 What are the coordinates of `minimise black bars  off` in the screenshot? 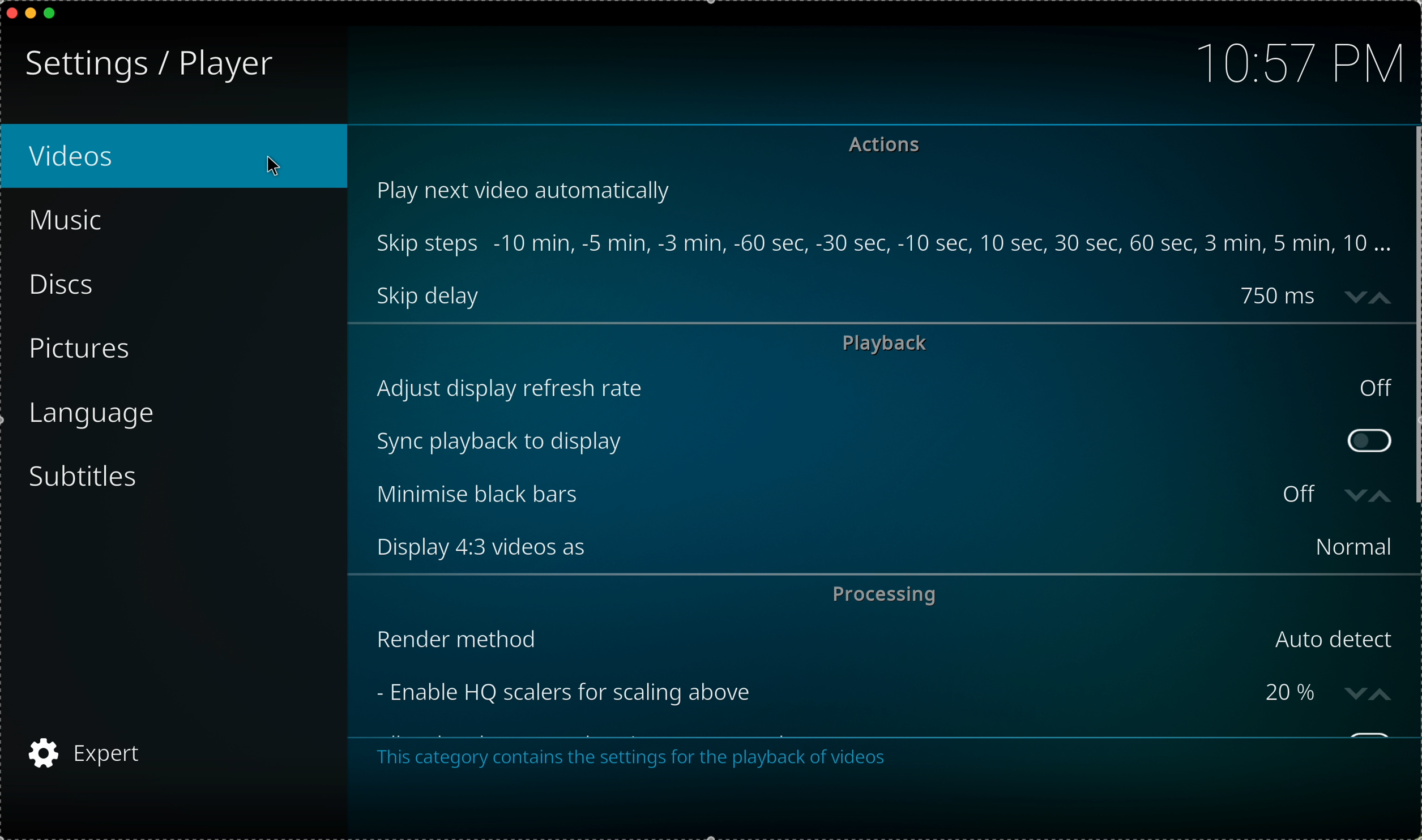 It's located at (847, 495).